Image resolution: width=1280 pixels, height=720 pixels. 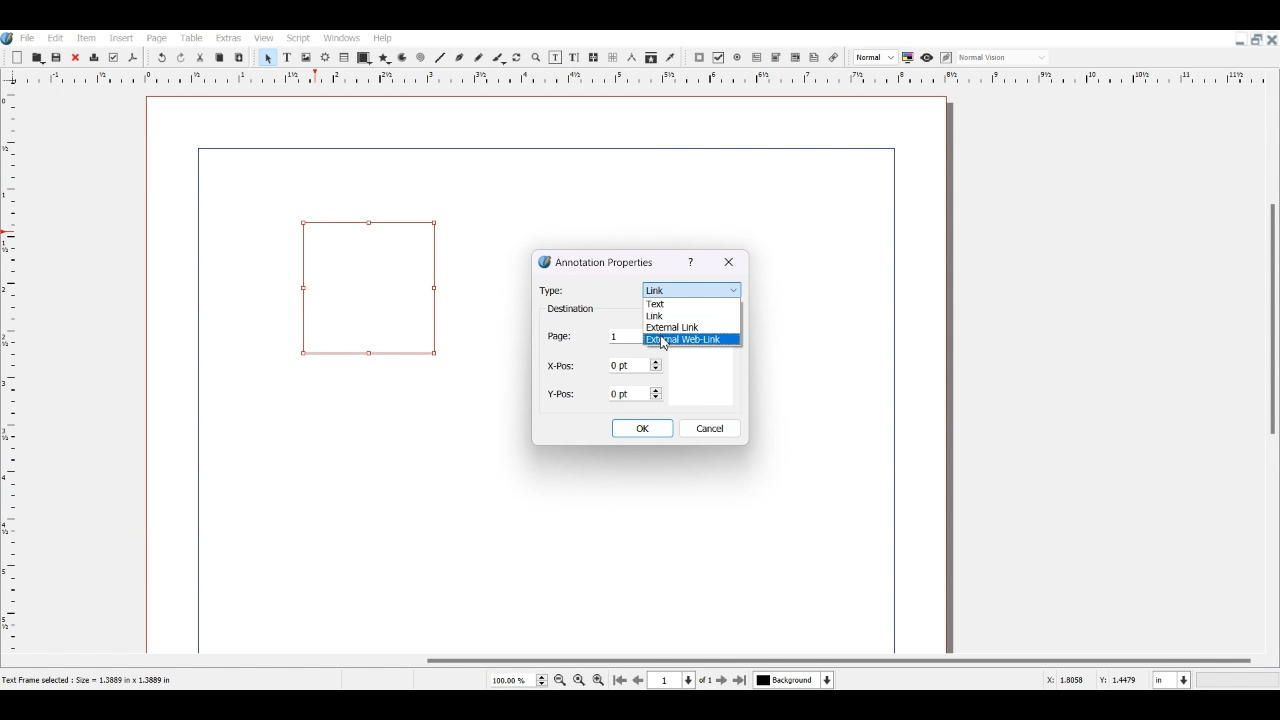 I want to click on Text, so click(x=570, y=310).